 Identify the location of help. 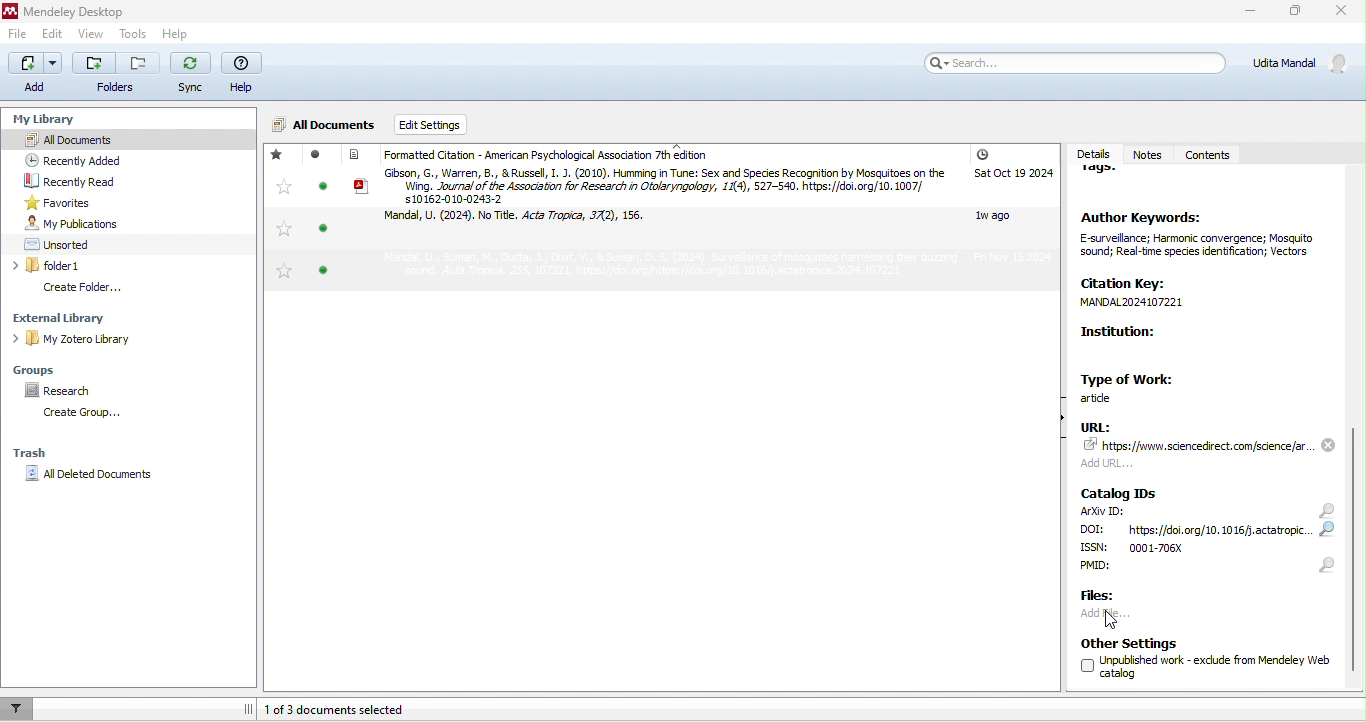
(173, 34).